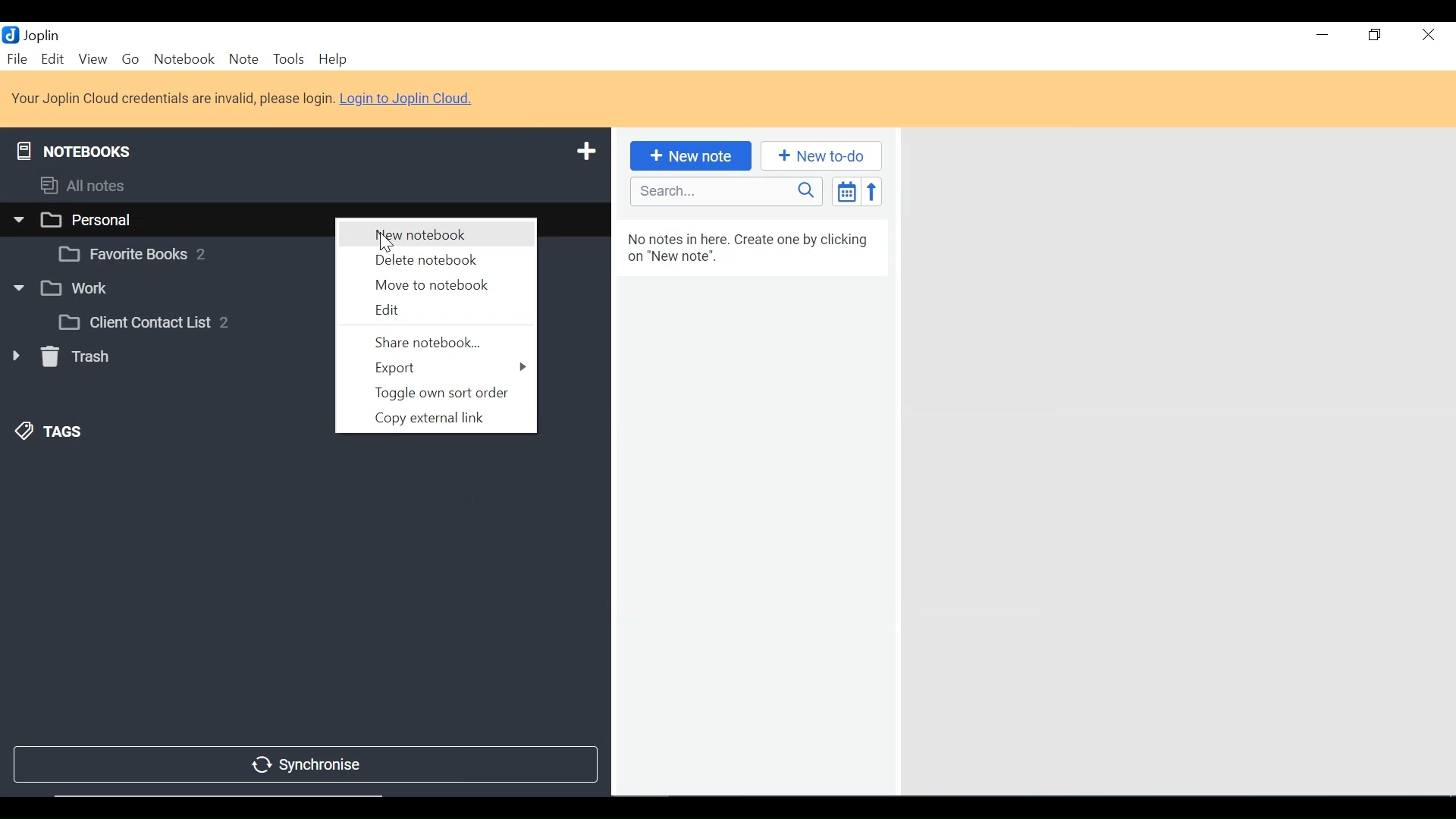 Image resolution: width=1456 pixels, height=819 pixels. I want to click on Copy External link, so click(435, 418).